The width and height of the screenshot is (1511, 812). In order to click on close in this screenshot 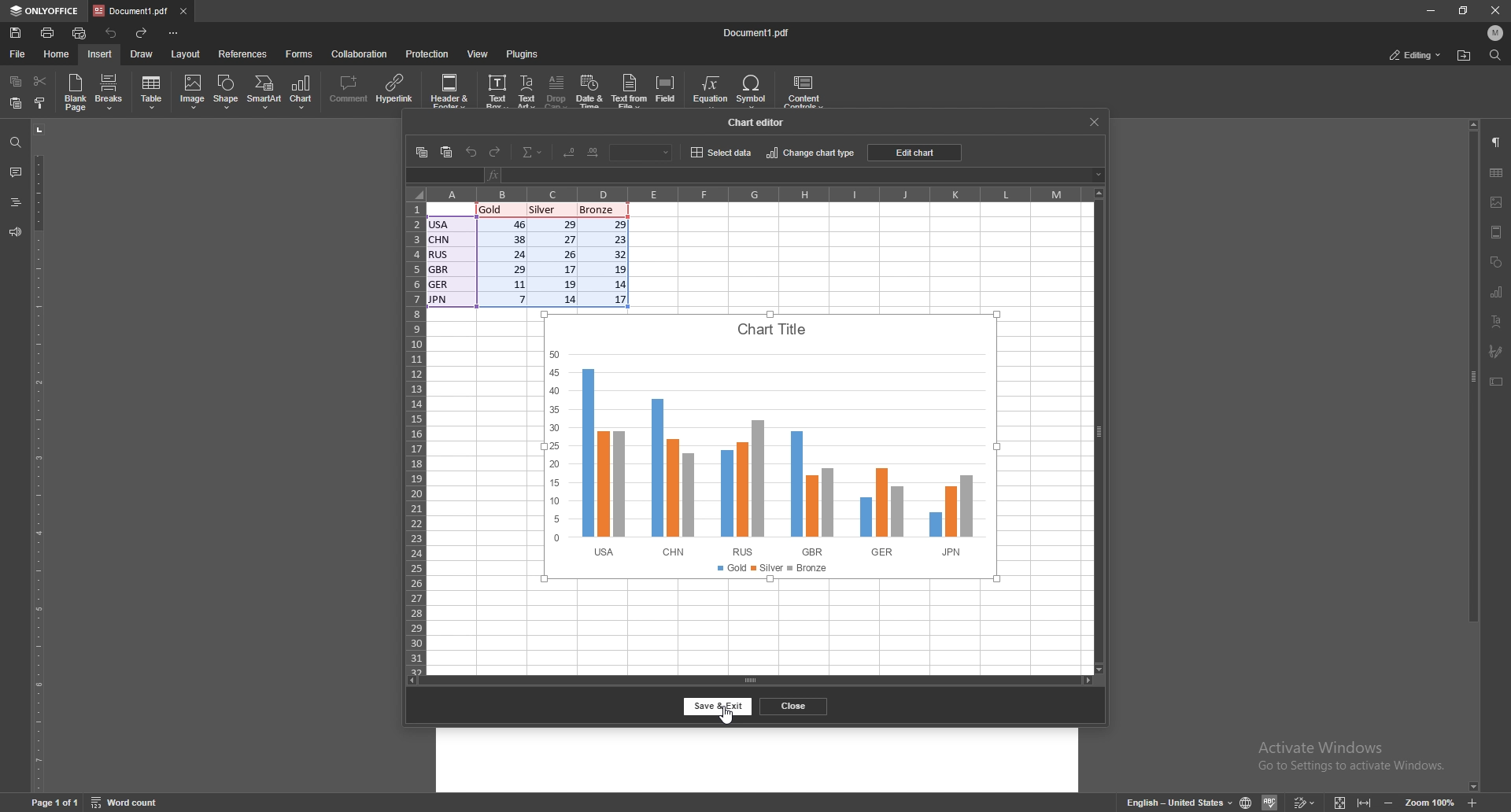, I will do `click(1094, 121)`.